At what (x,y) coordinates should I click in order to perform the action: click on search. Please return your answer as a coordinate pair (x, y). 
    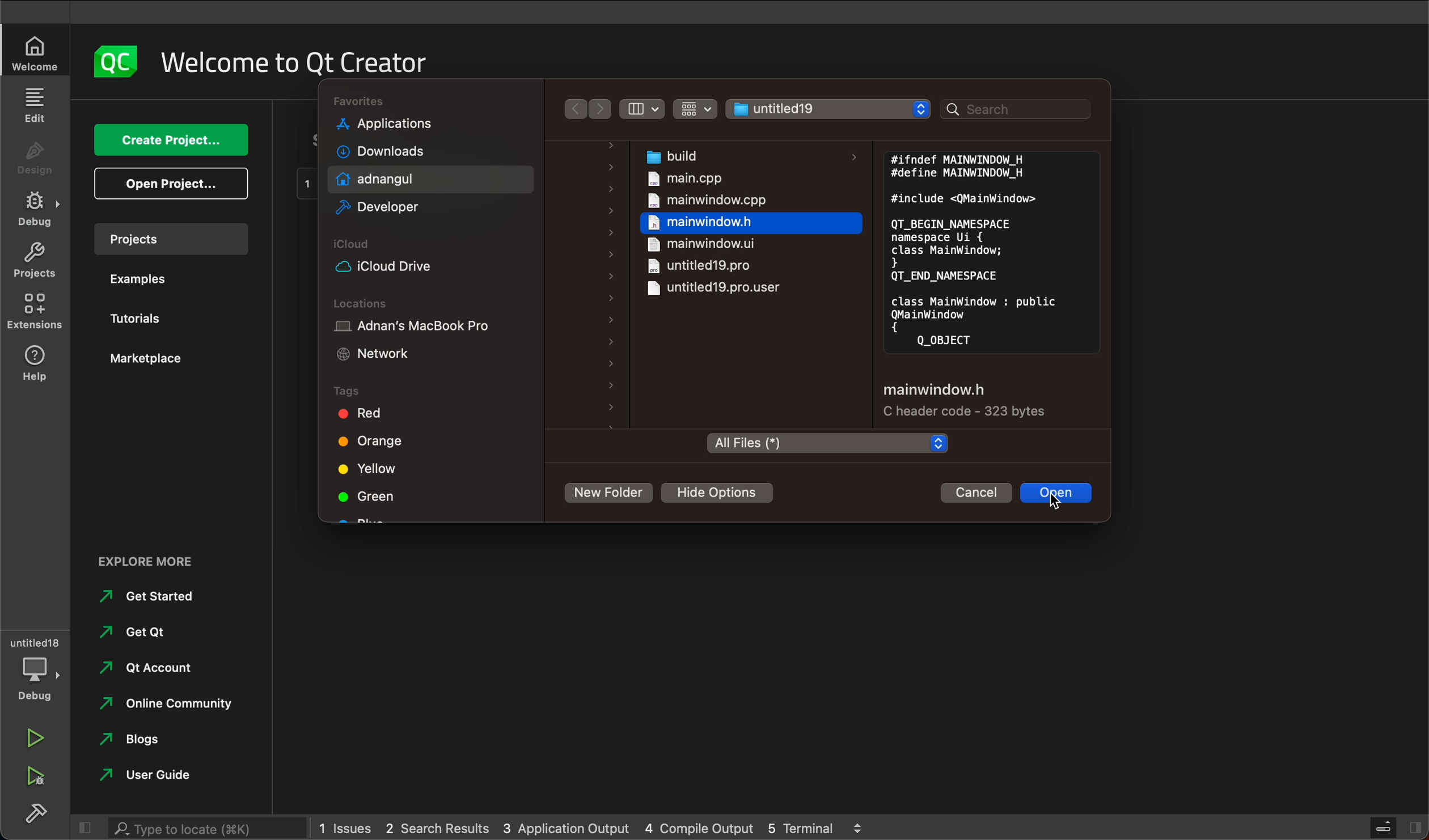
    Looking at the image, I should click on (1017, 110).